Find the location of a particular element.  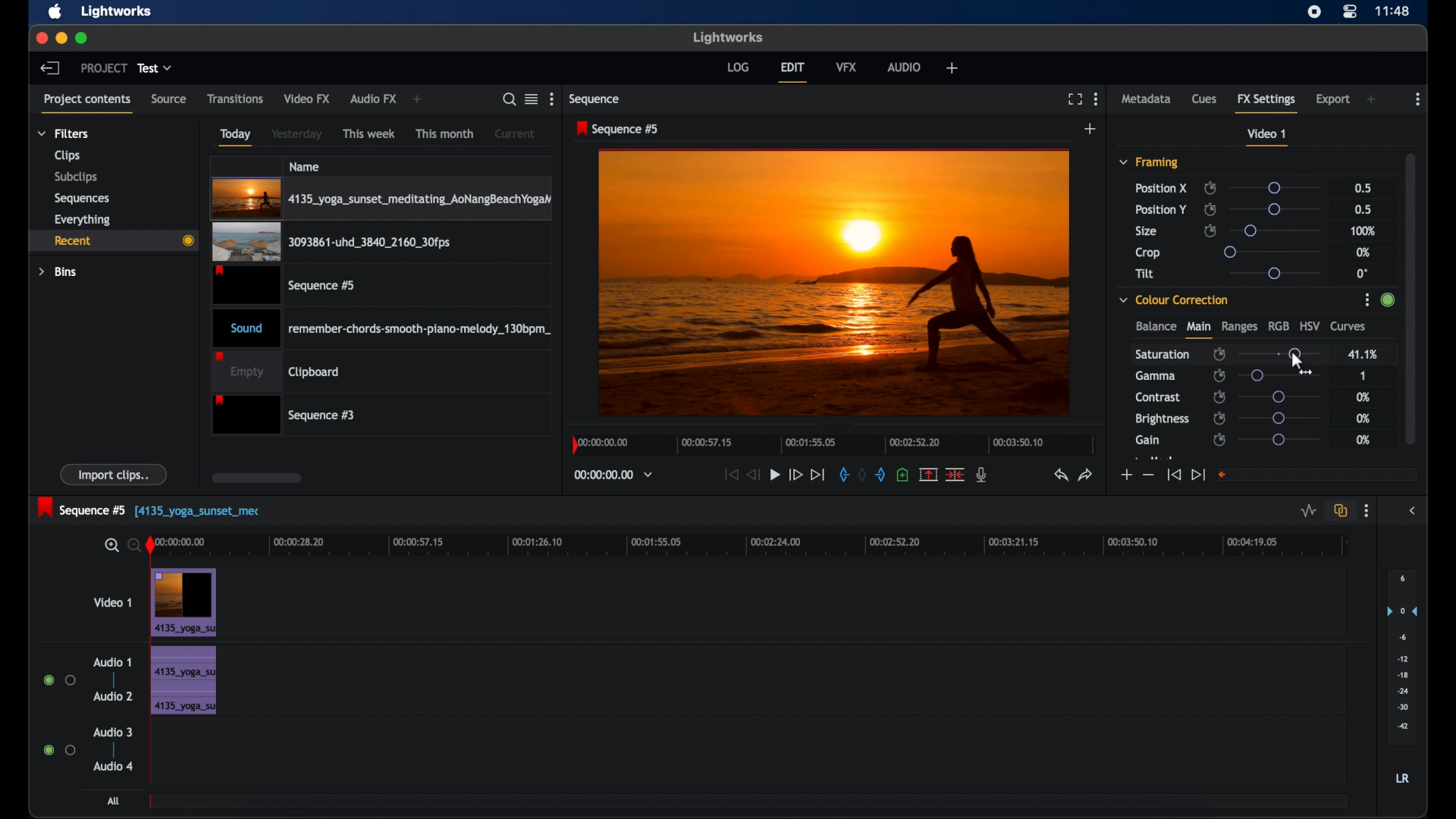

add is located at coordinates (419, 100).